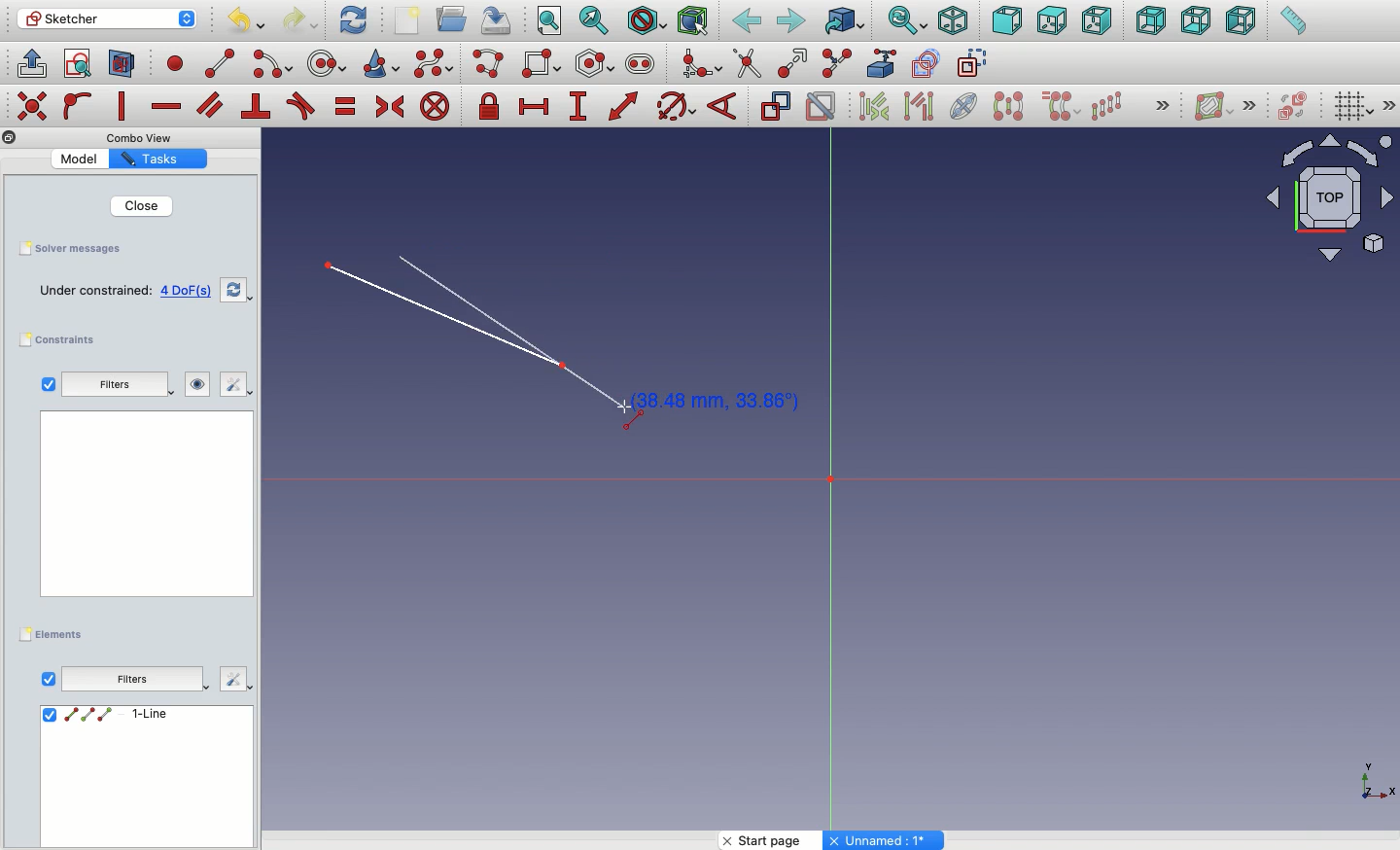  I want to click on Leave sketch, so click(31, 62).